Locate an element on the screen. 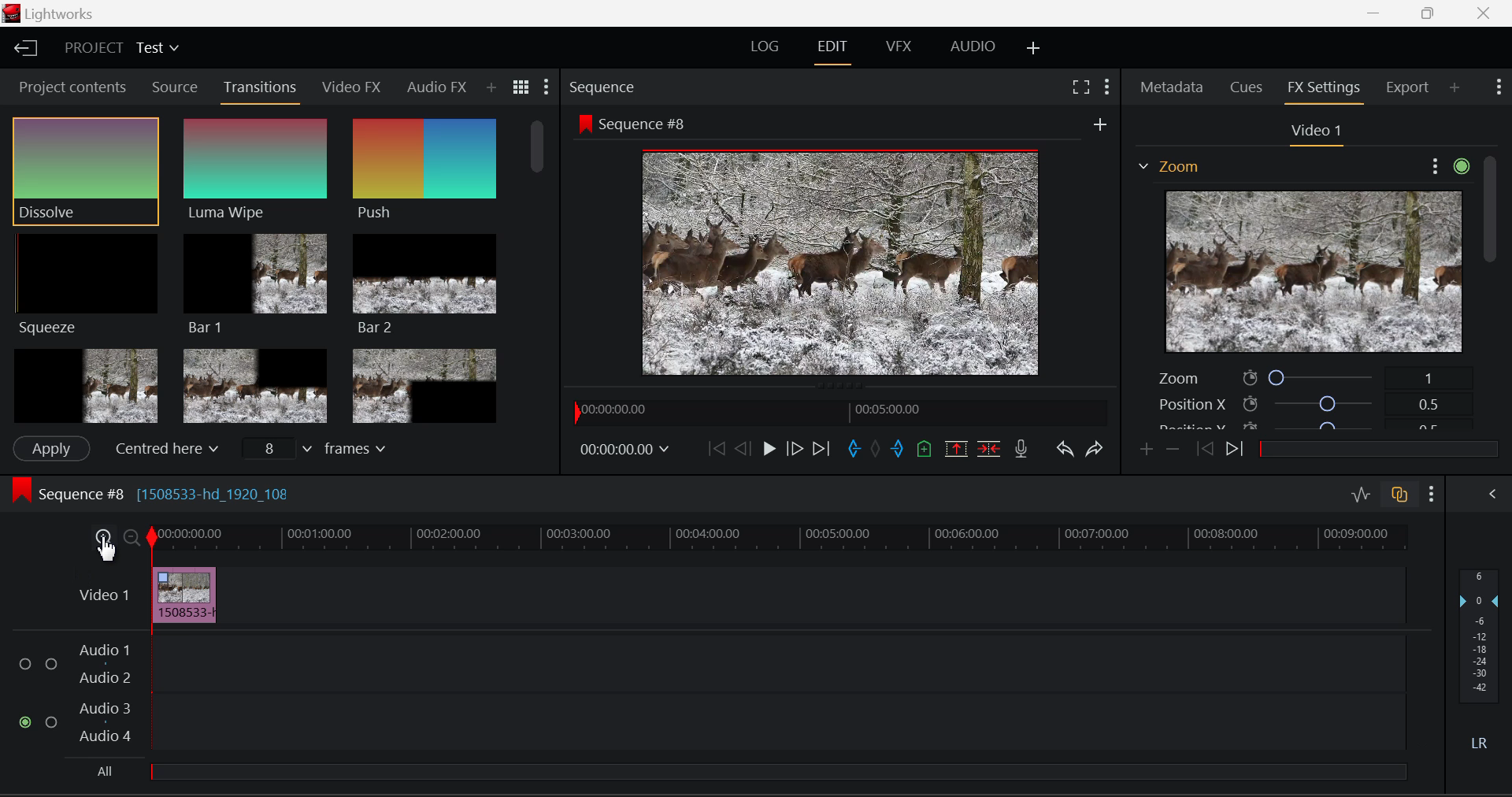 The width and height of the screenshot is (1512, 797). Audio Input Checkbox is located at coordinates (51, 722).